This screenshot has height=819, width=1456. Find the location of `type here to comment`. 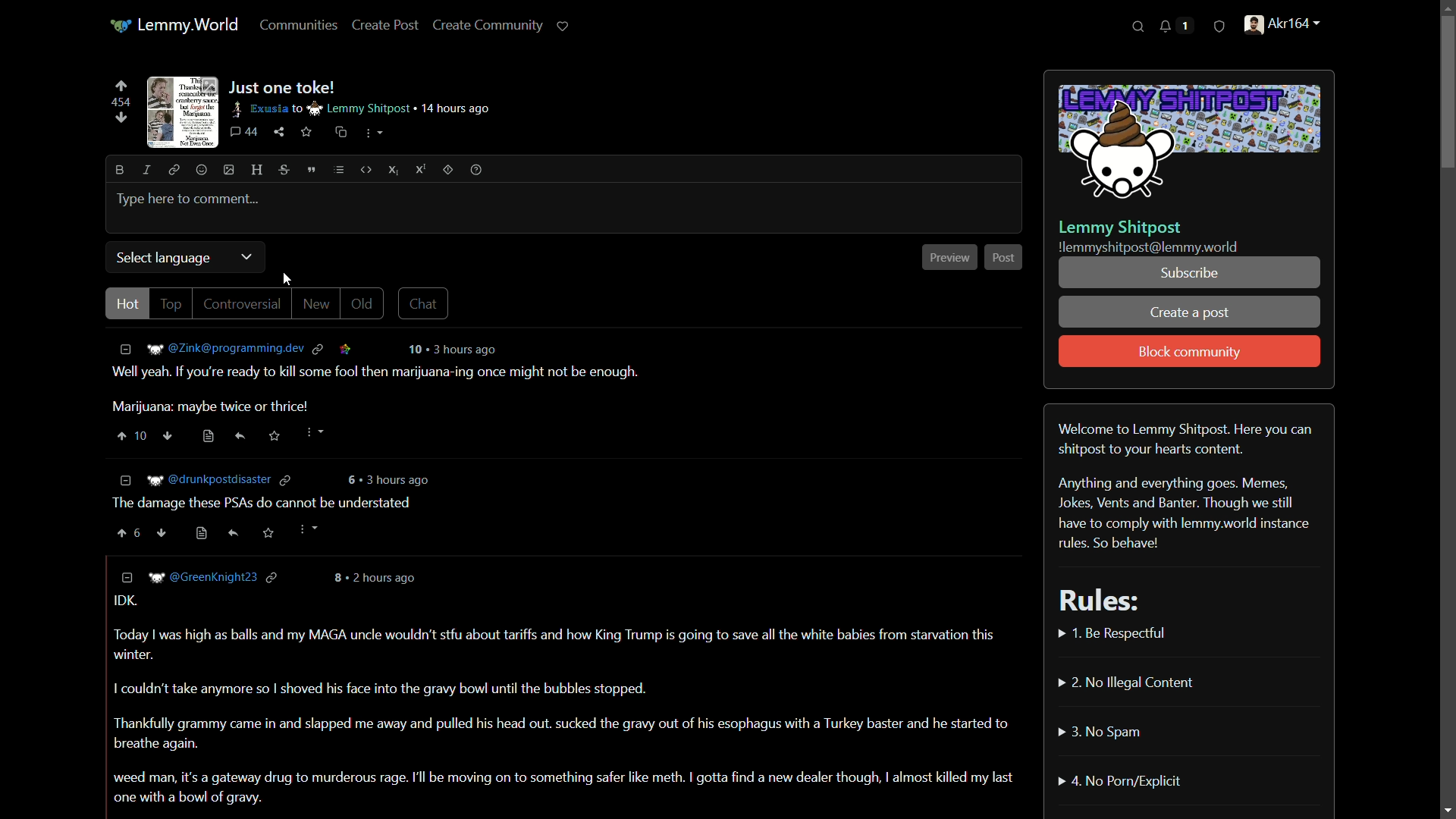

type here to comment is located at coordinates (190, 199).